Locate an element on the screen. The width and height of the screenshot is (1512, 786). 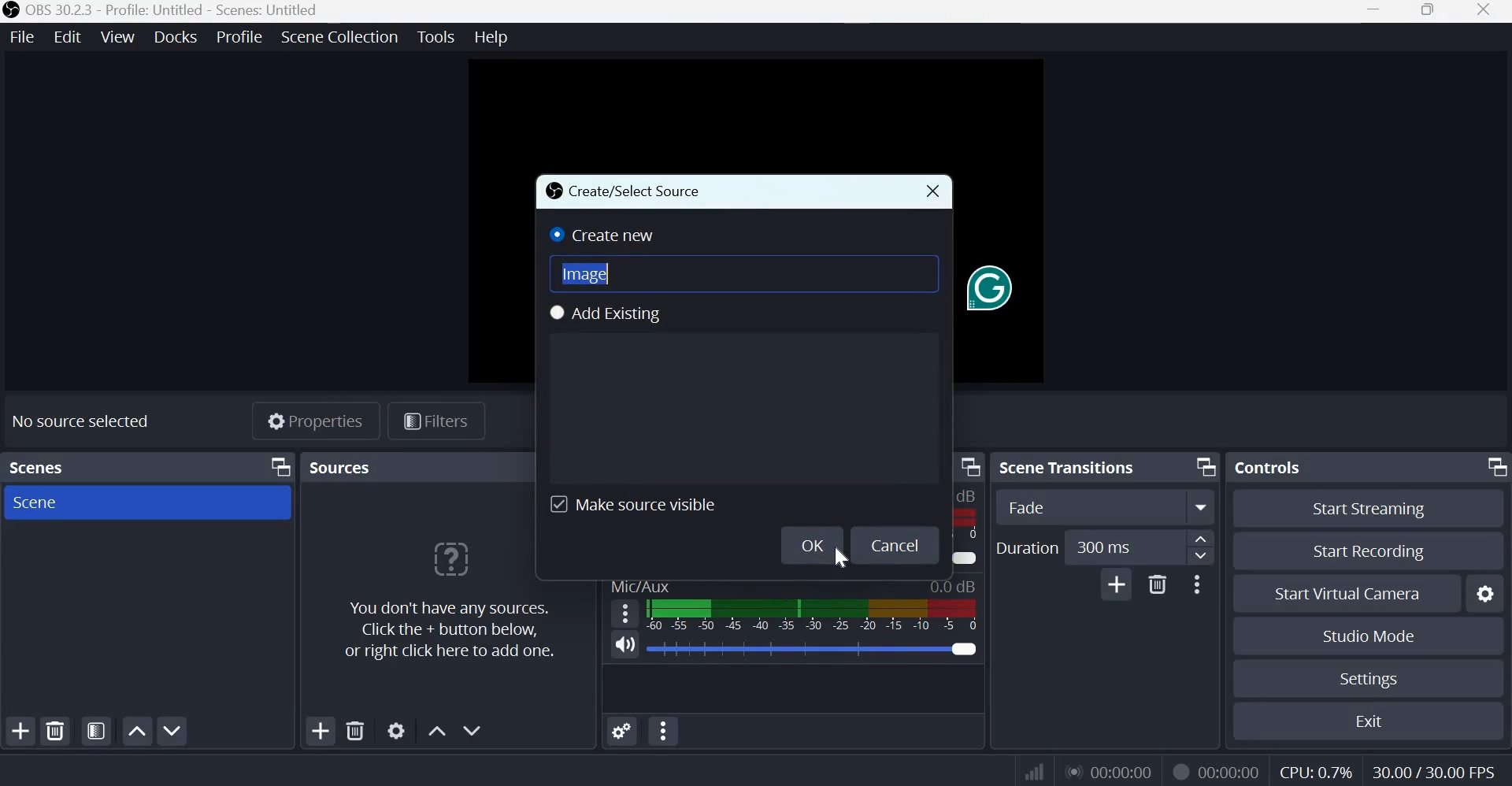
increase is located at coordinates (1206, 539).